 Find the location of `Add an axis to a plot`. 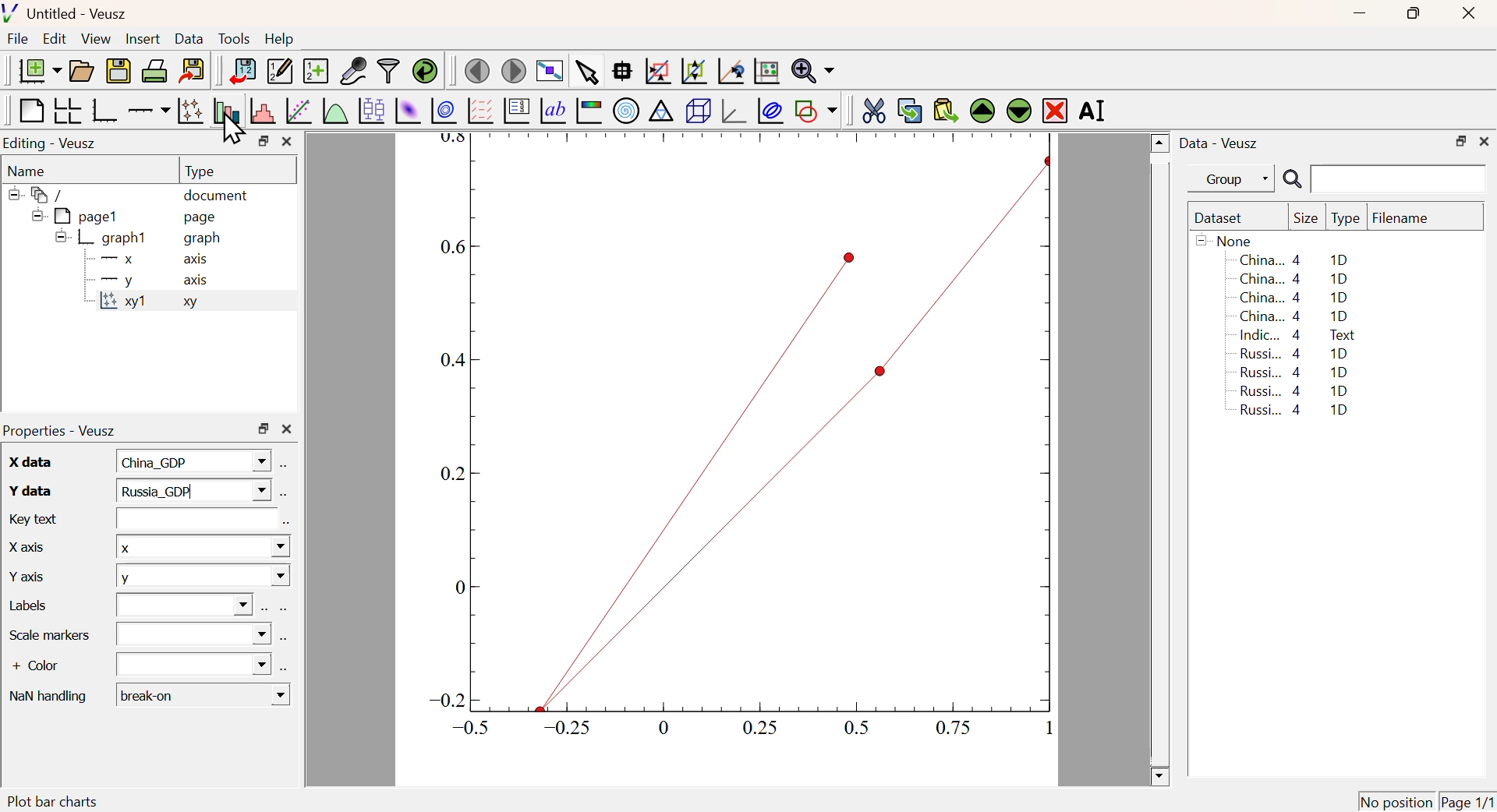

Add an axis to a plot is located at coordinates (148, 112).